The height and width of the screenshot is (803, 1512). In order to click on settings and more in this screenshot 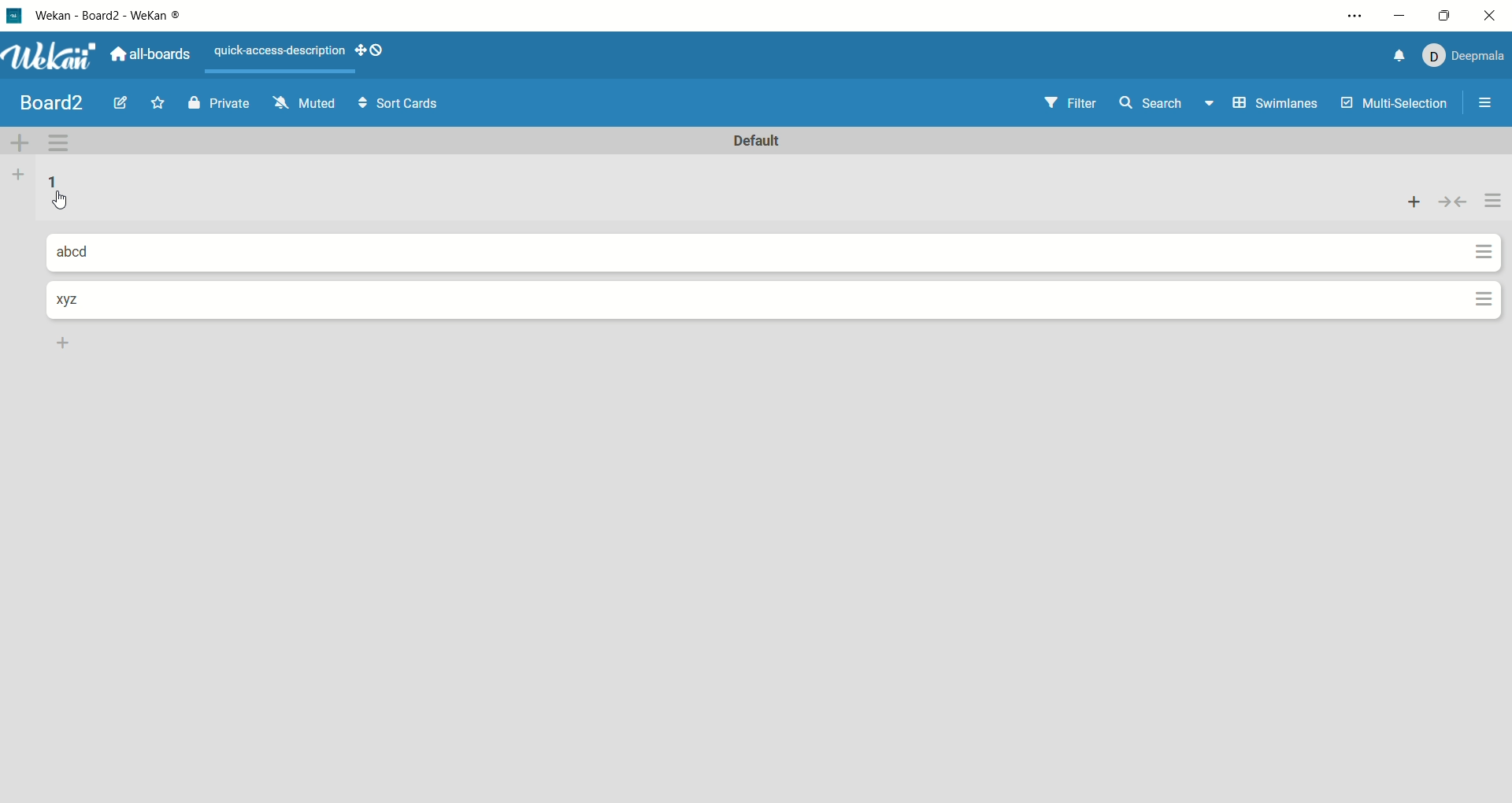, I will do `click(1354, 18)`.